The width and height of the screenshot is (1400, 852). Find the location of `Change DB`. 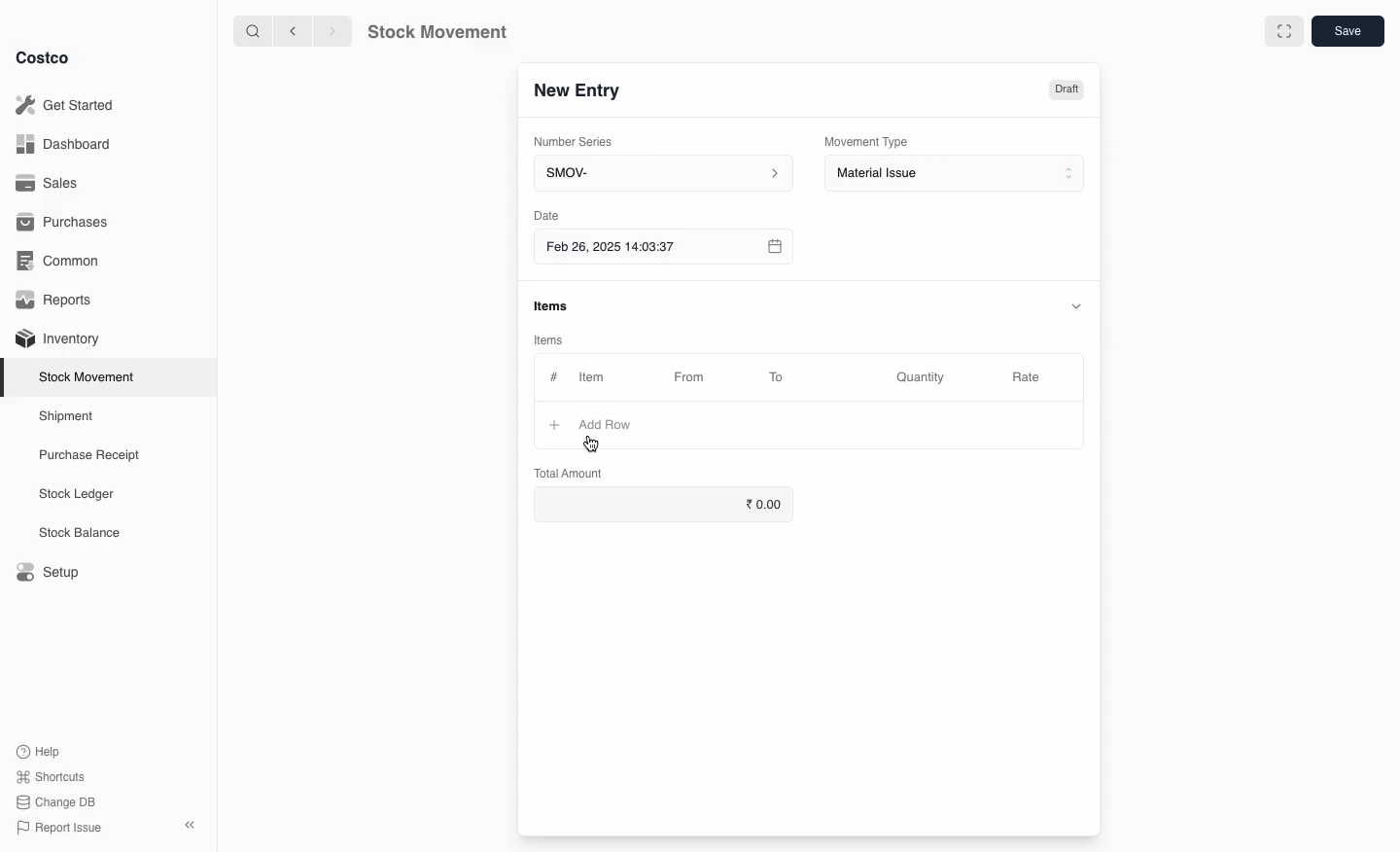

Change DB is located at coordinates (56, 802).